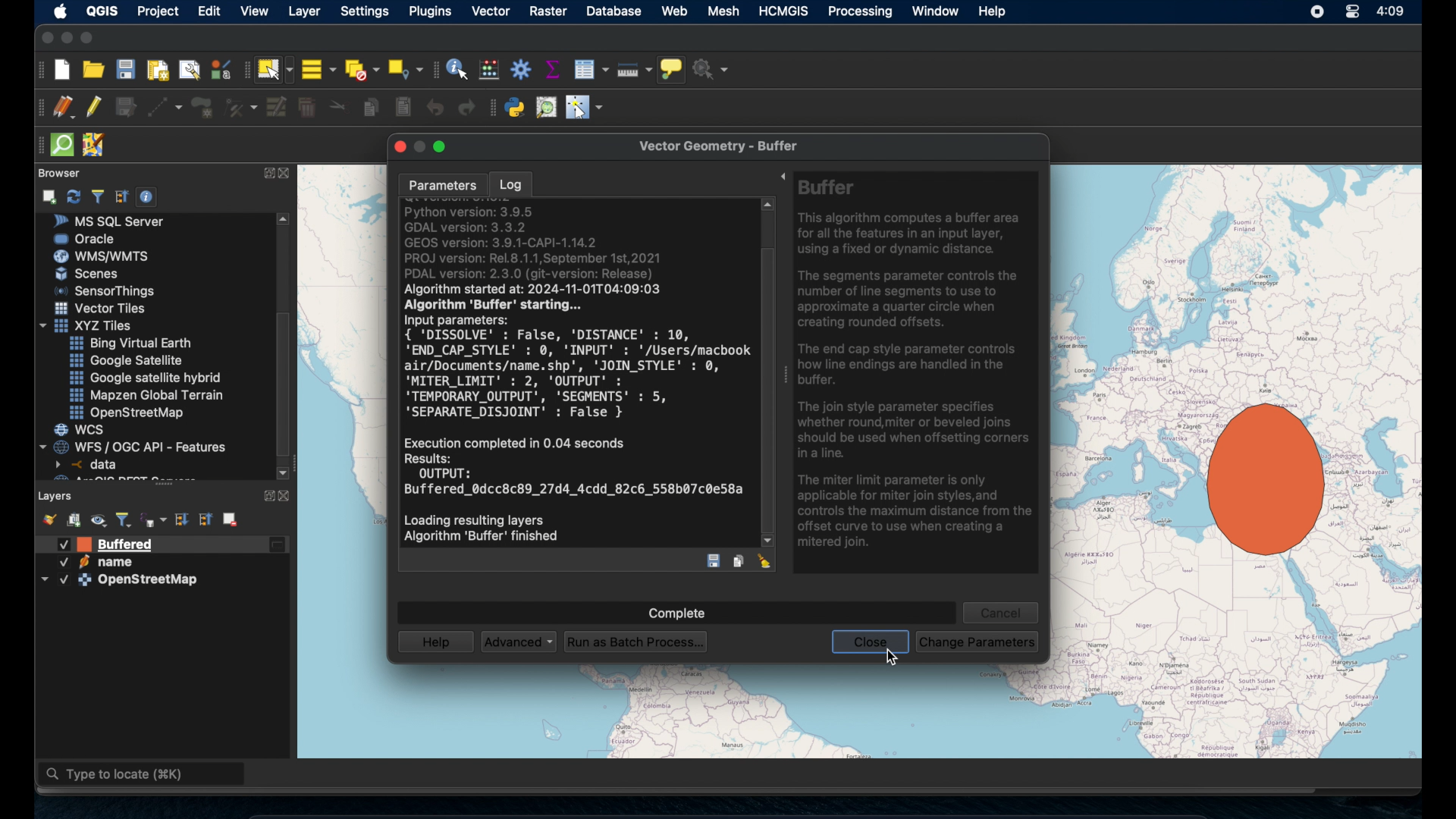  I want to click on buffered layer, so click(119, 545).